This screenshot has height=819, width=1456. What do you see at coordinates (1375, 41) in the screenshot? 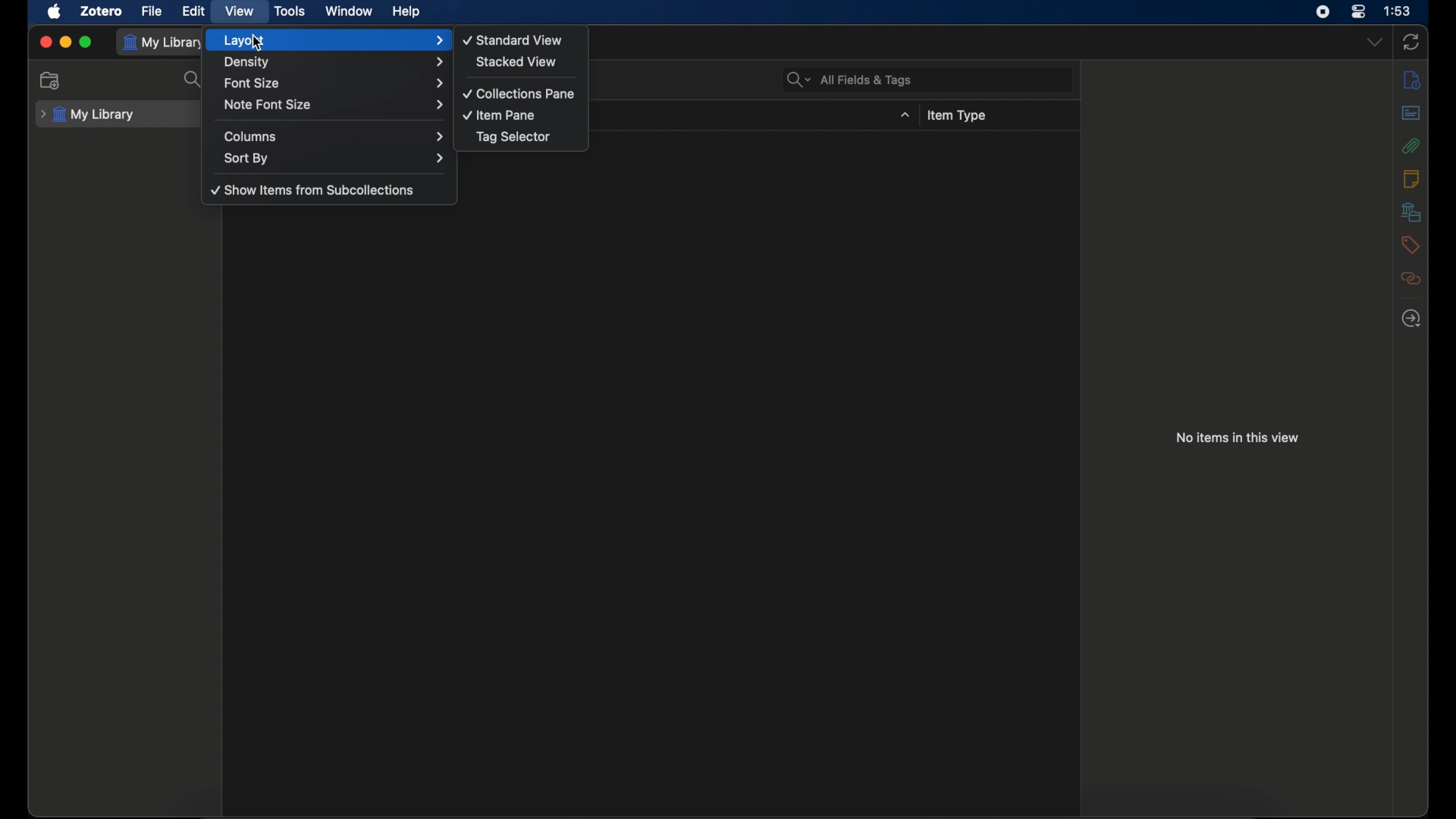
I see `dropdown` at bounding box center [1375, 41].